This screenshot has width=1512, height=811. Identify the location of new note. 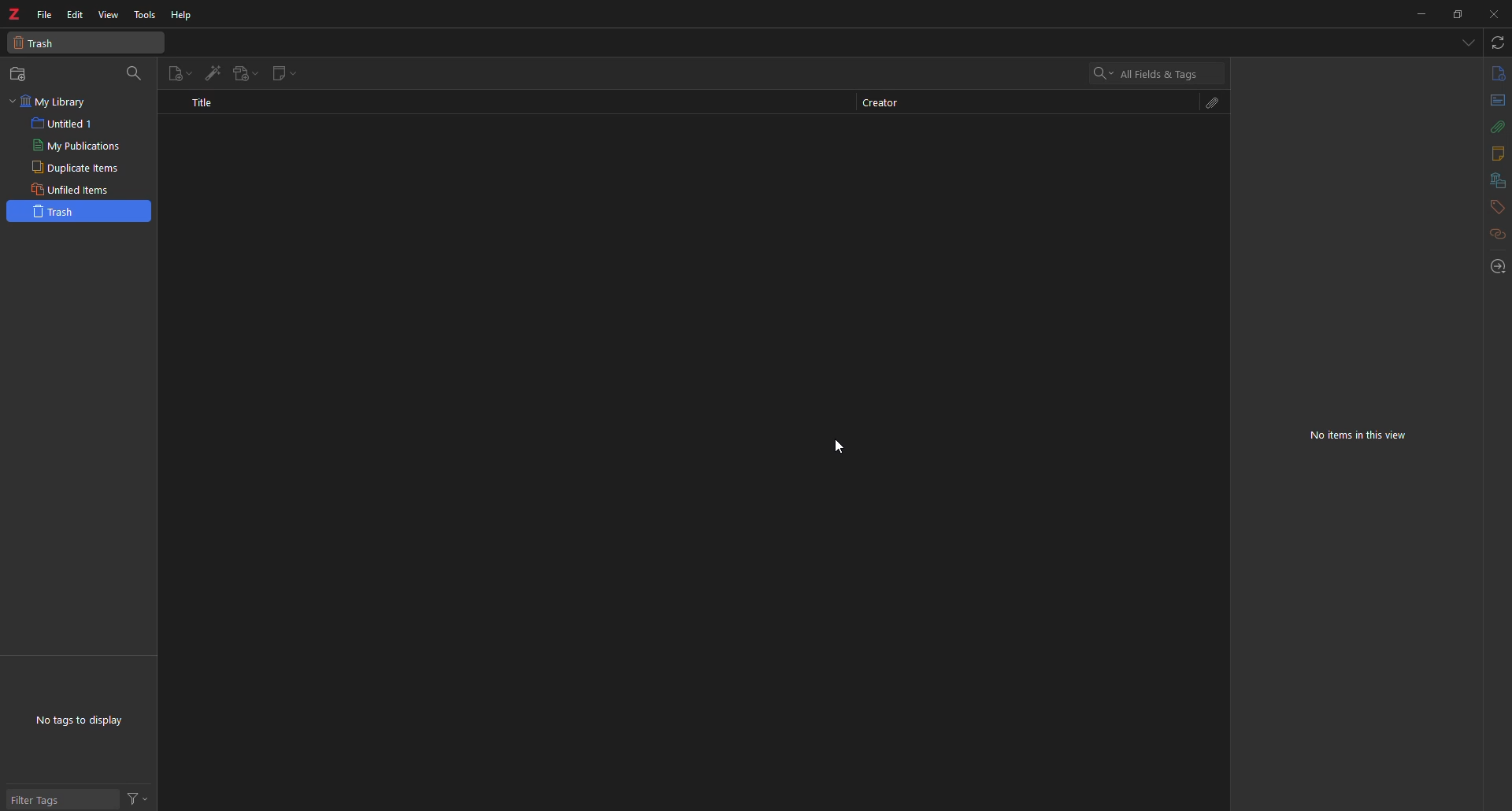
(278, 73).